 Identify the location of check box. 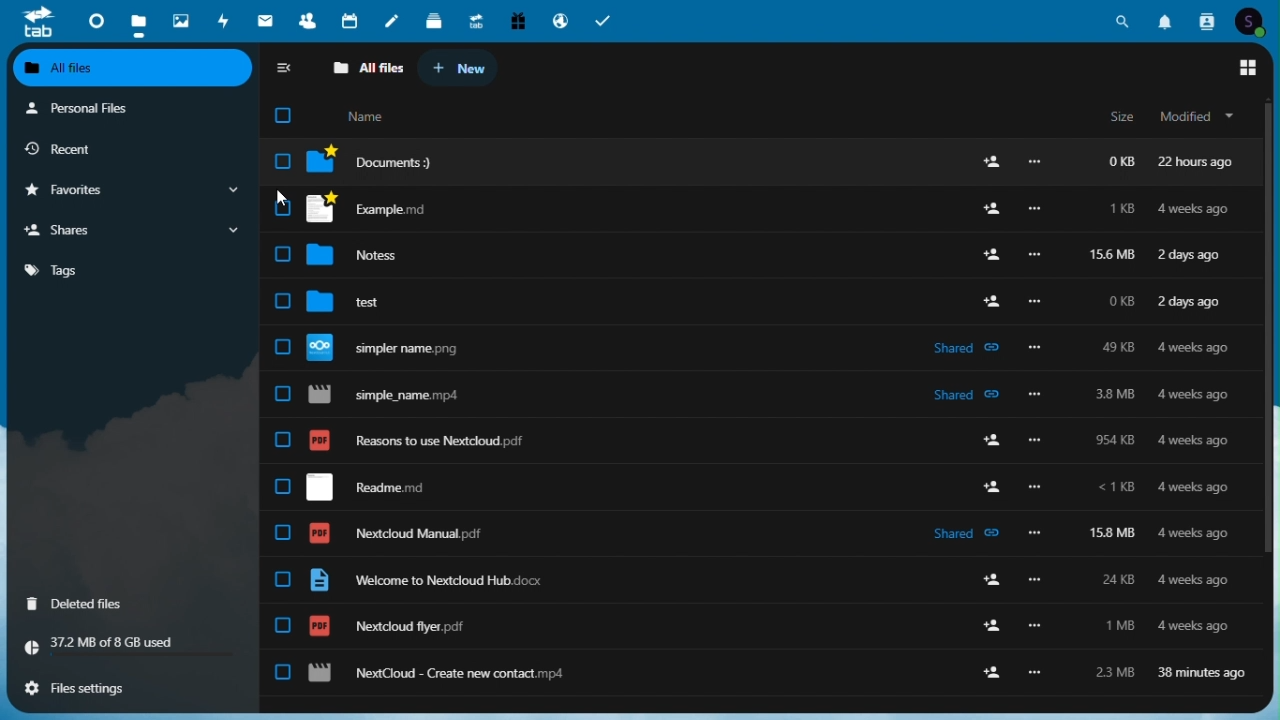
(279, 579).